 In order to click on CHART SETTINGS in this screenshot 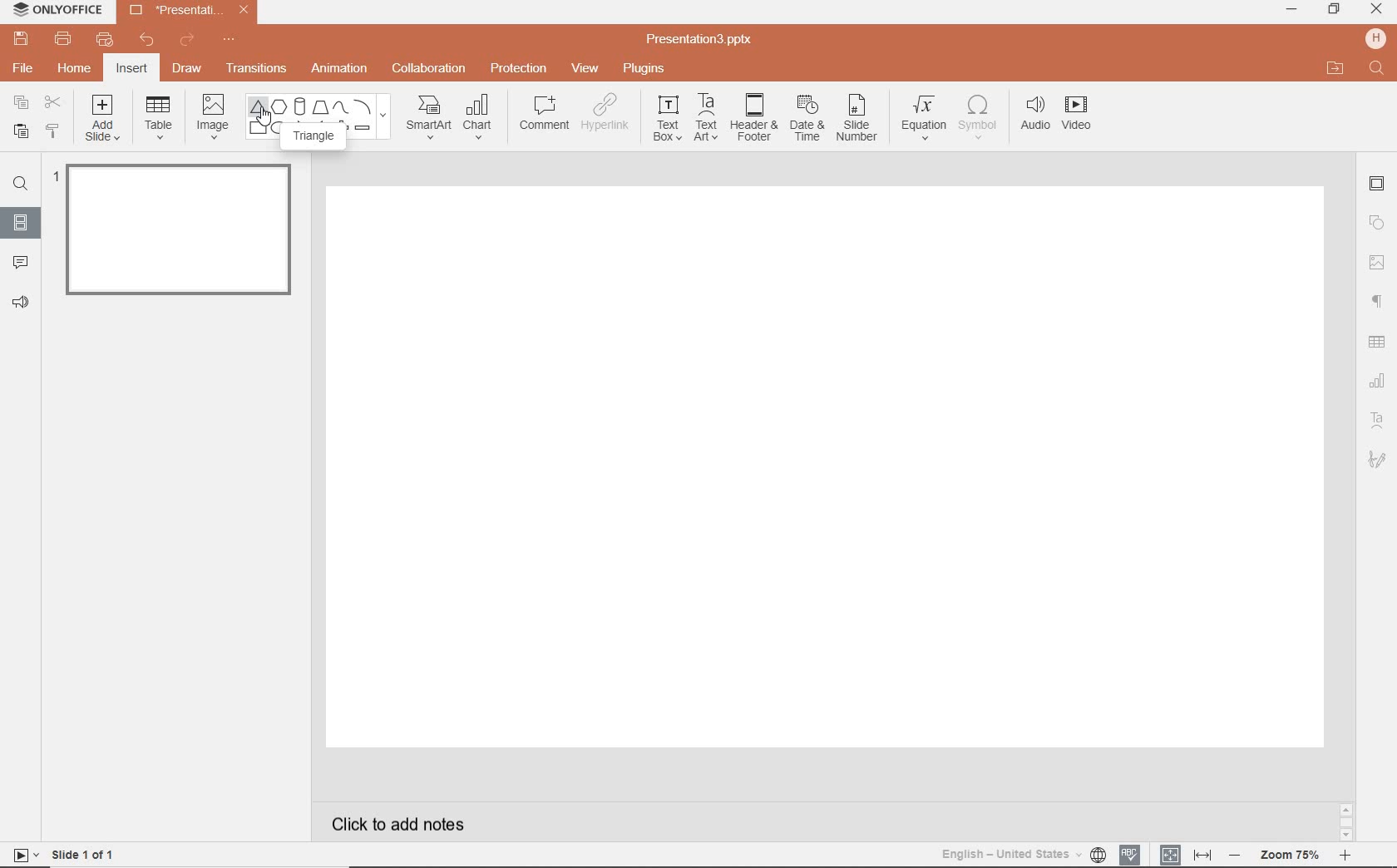, I will do `click(1378, 379)`.